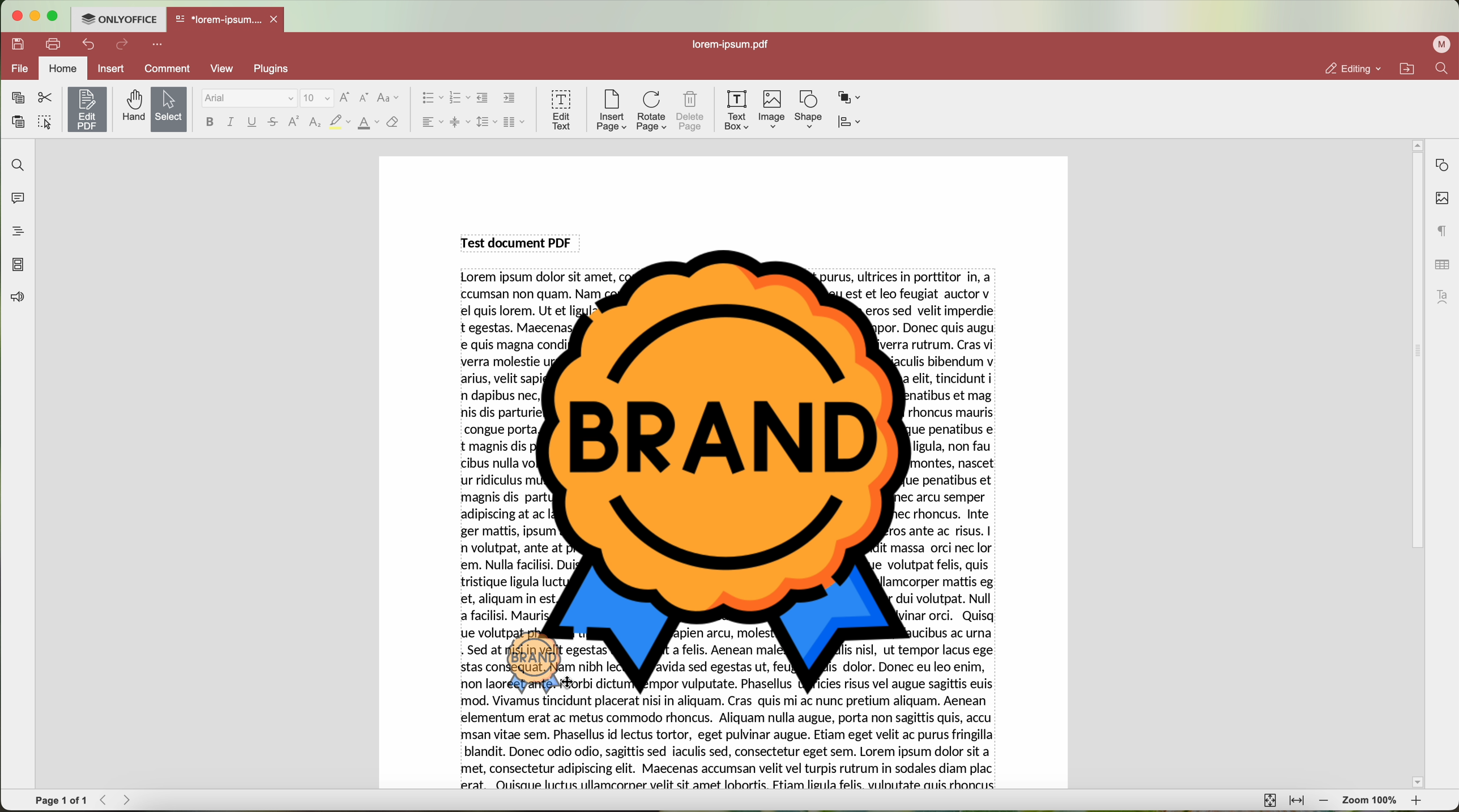 The image size is (1459, 812). What do you see at coordinates (1296, 801) in the screenshot?
I see `fit to width` at bounding box center [1296, 801].